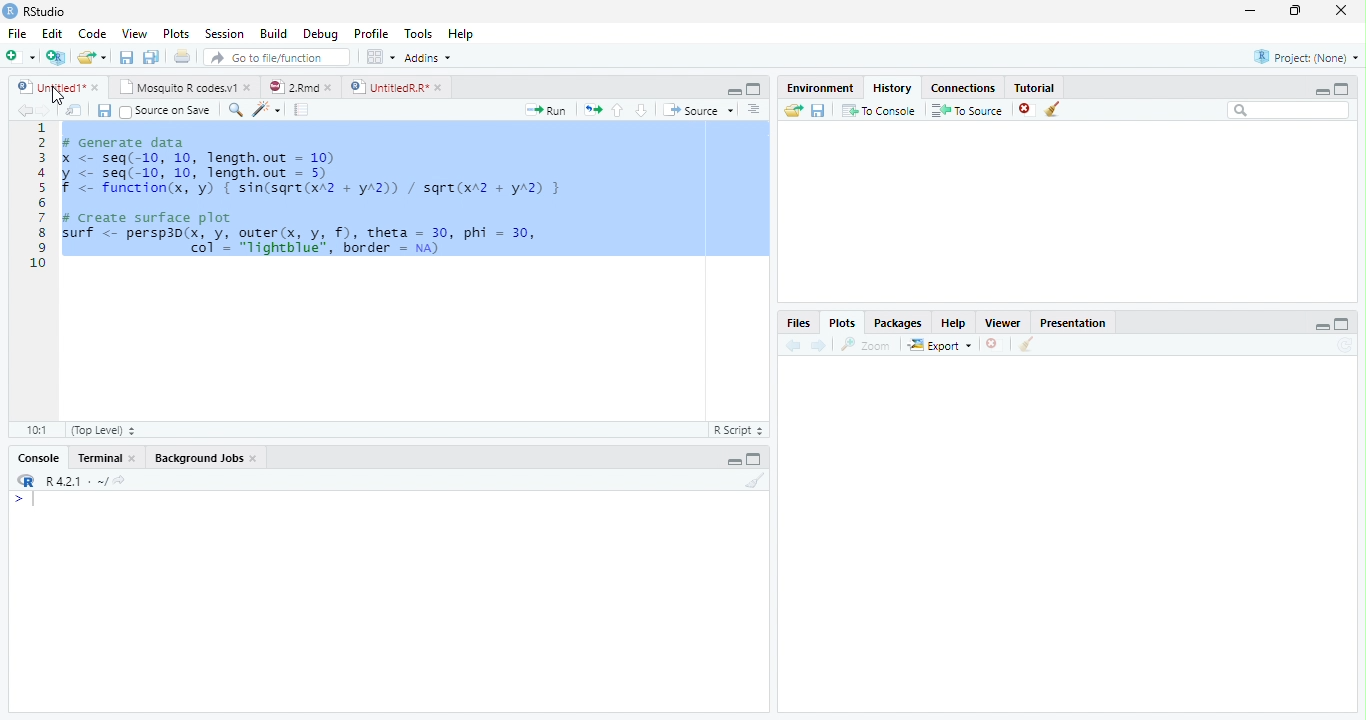 The image size is (1366, 720). Describe the element at coordinates (19, 57) in the screenshot. I see `New file` at that location.